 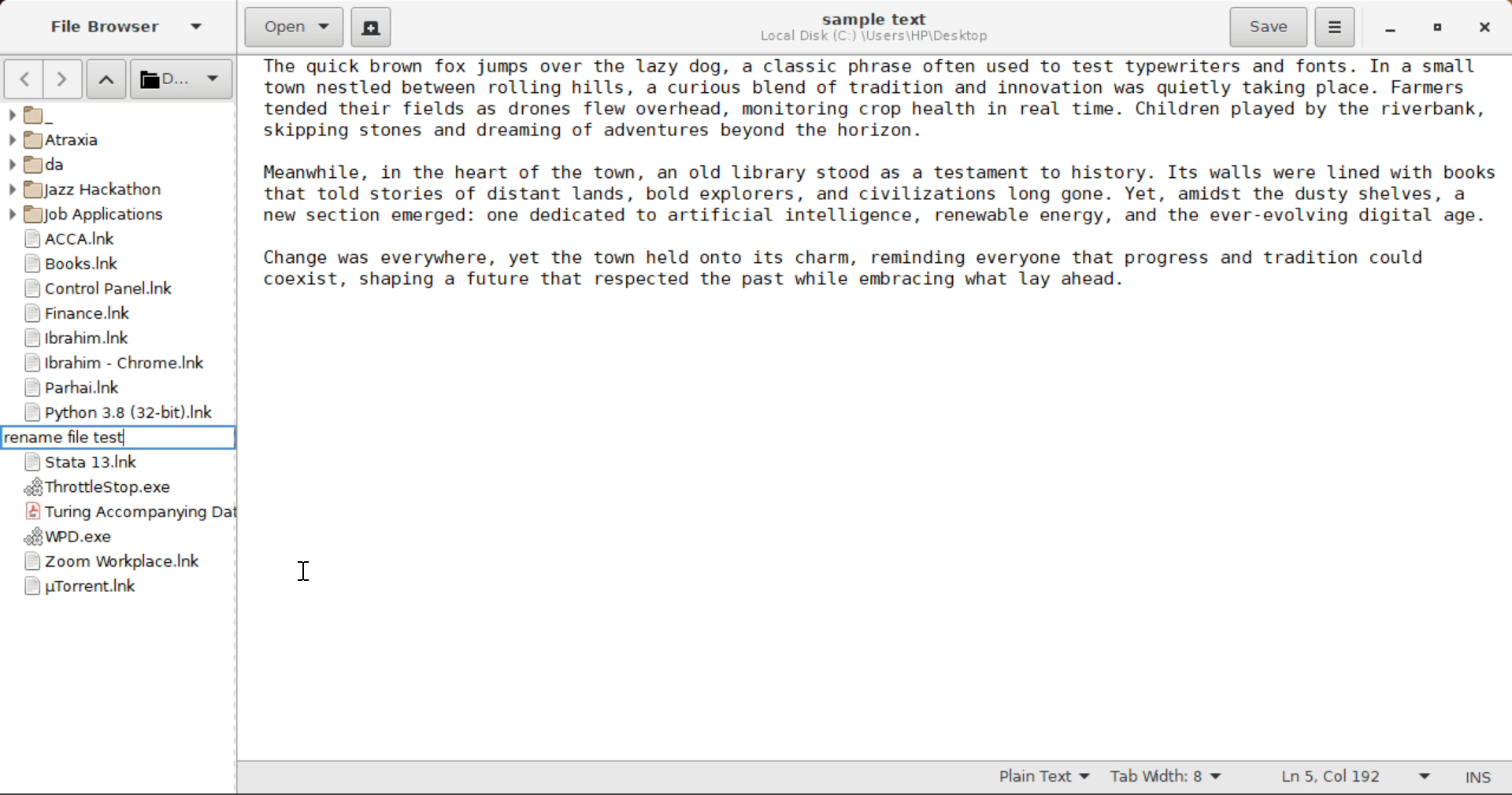 What do you see at coordinates (114, 314) in the screenshot?
I see `Finance Folder Shortcut Link` at bounding box center [114, 314].